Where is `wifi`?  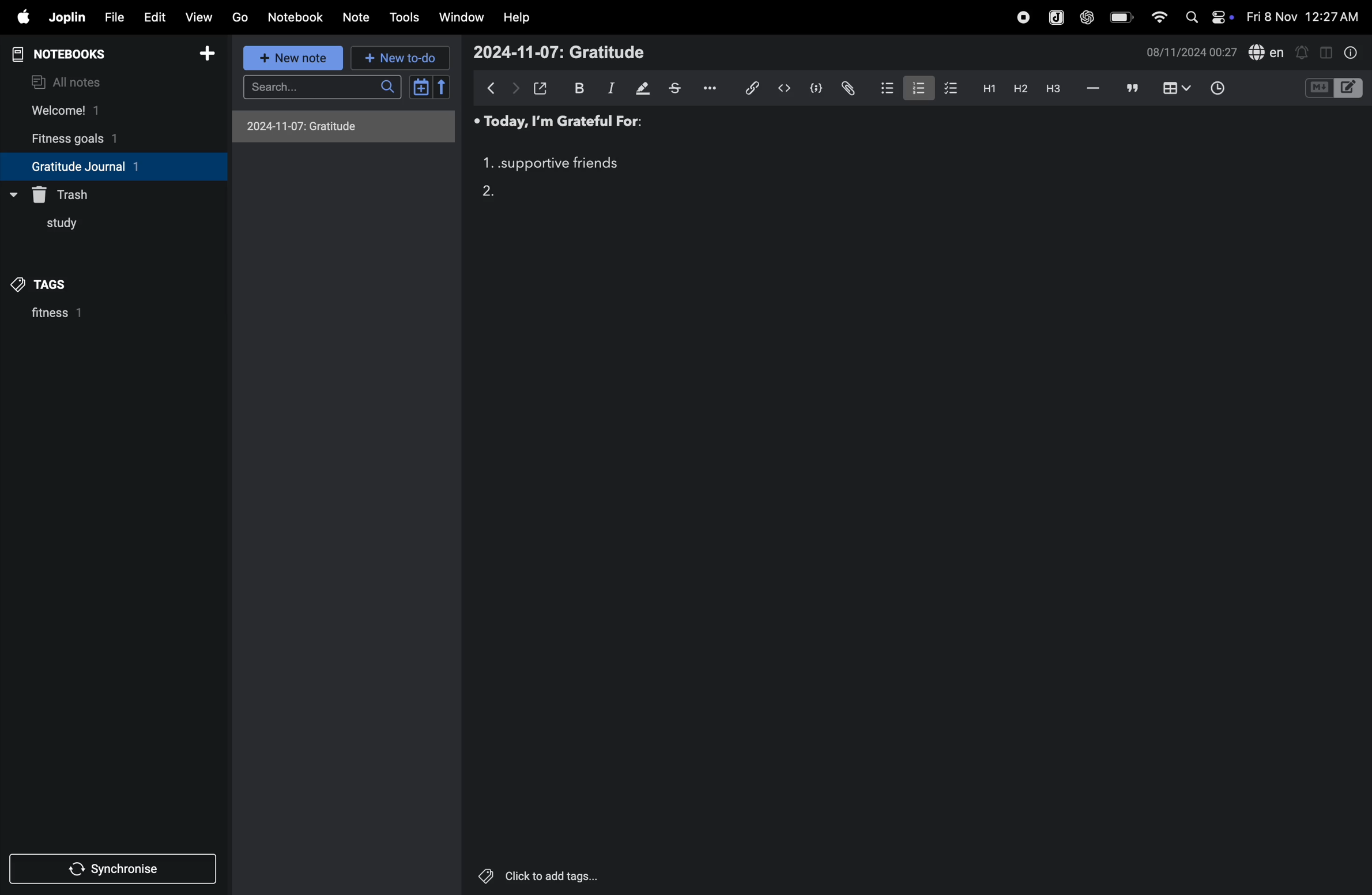
wifi is located at coordinates (1158, 18).